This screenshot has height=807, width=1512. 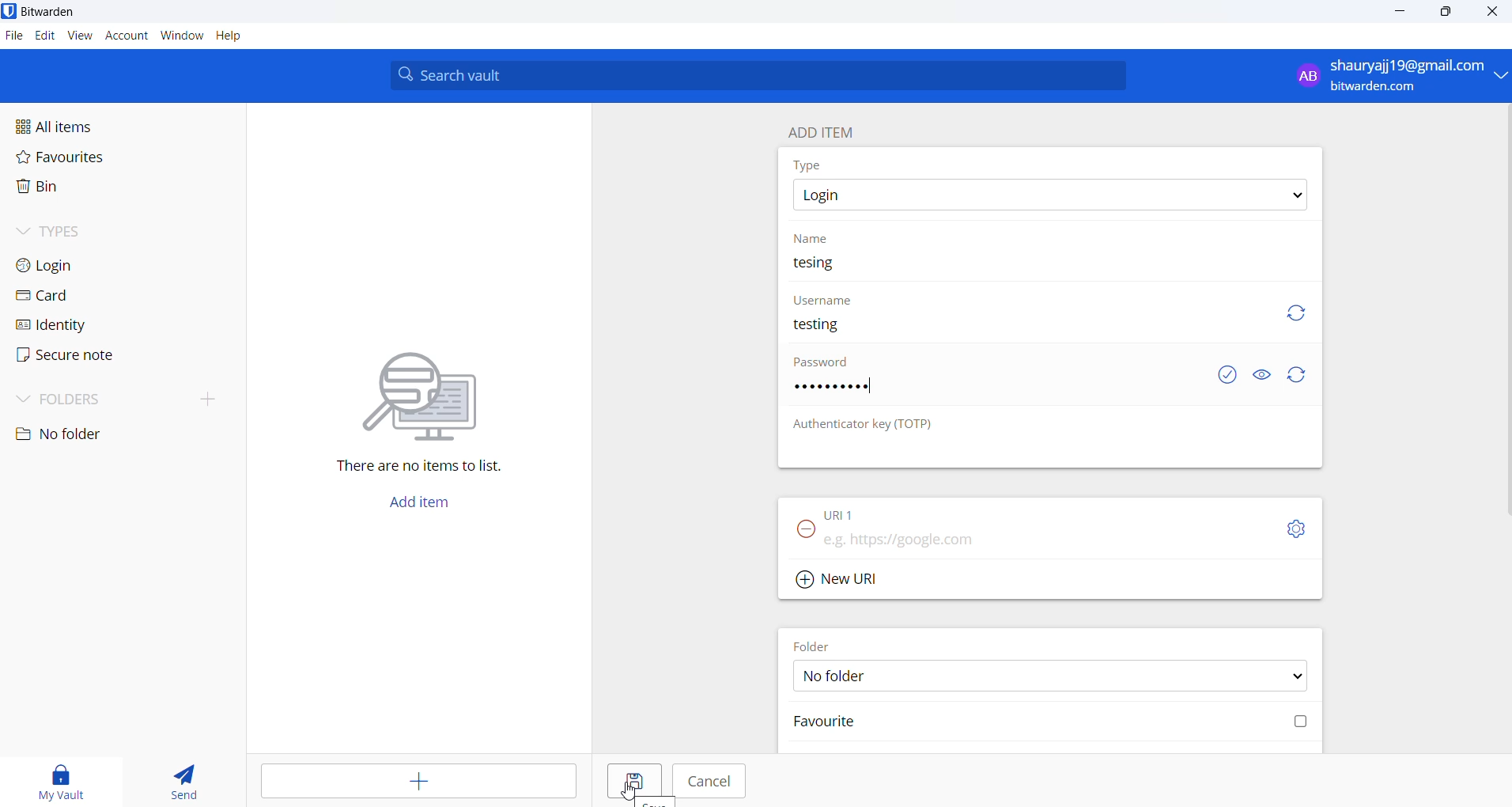 I want to click on application logo, so click(x=10, y=11).